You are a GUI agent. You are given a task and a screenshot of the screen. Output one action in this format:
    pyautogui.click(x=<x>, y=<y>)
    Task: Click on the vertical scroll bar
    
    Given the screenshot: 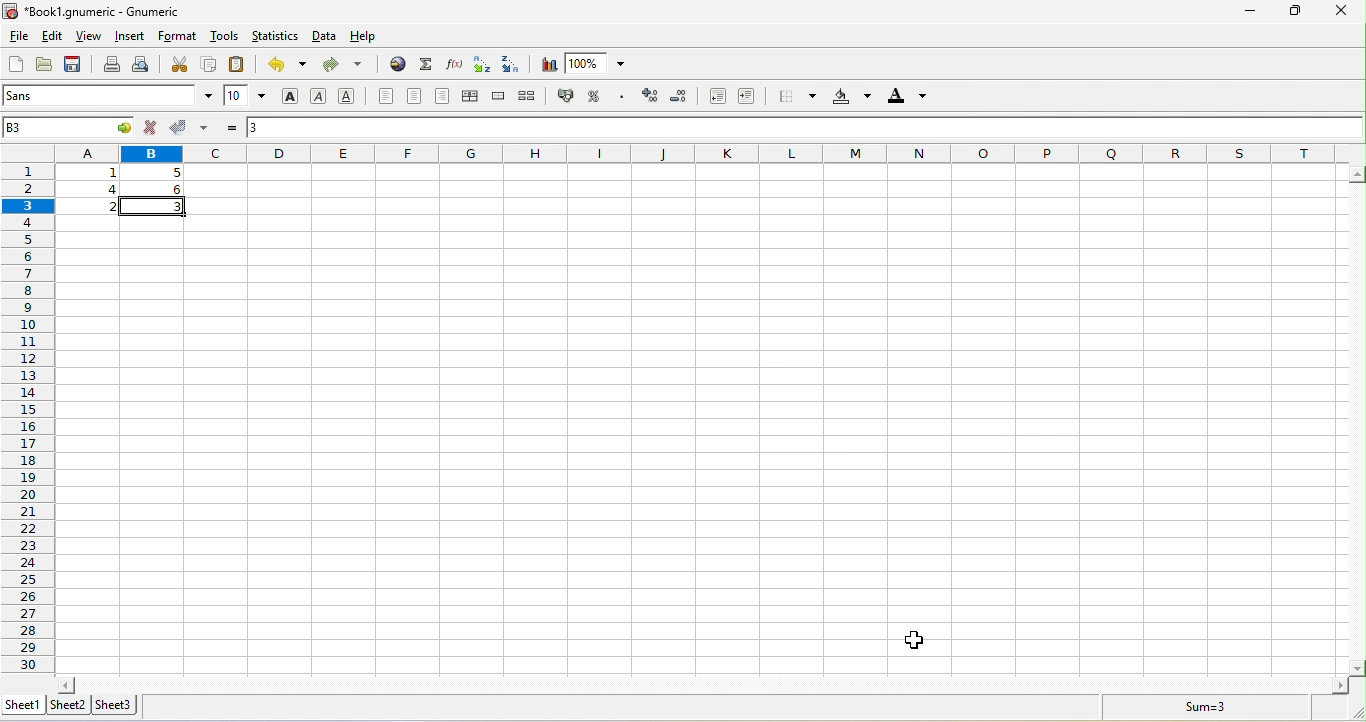 What is the action you would take?
    pyautogui.click(x=1357, y=421)
    